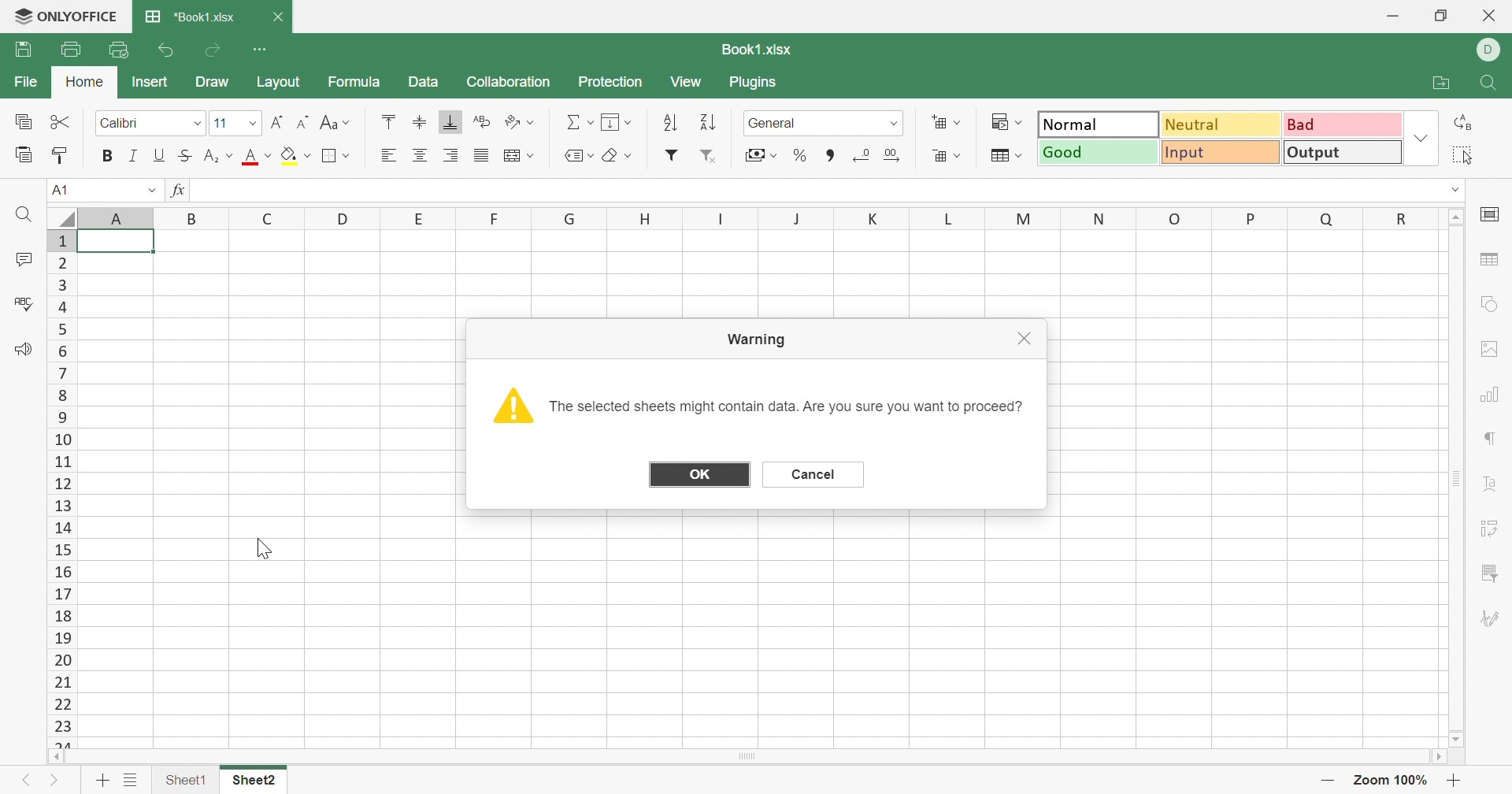  I want to click on Formula, so click(357, 81).